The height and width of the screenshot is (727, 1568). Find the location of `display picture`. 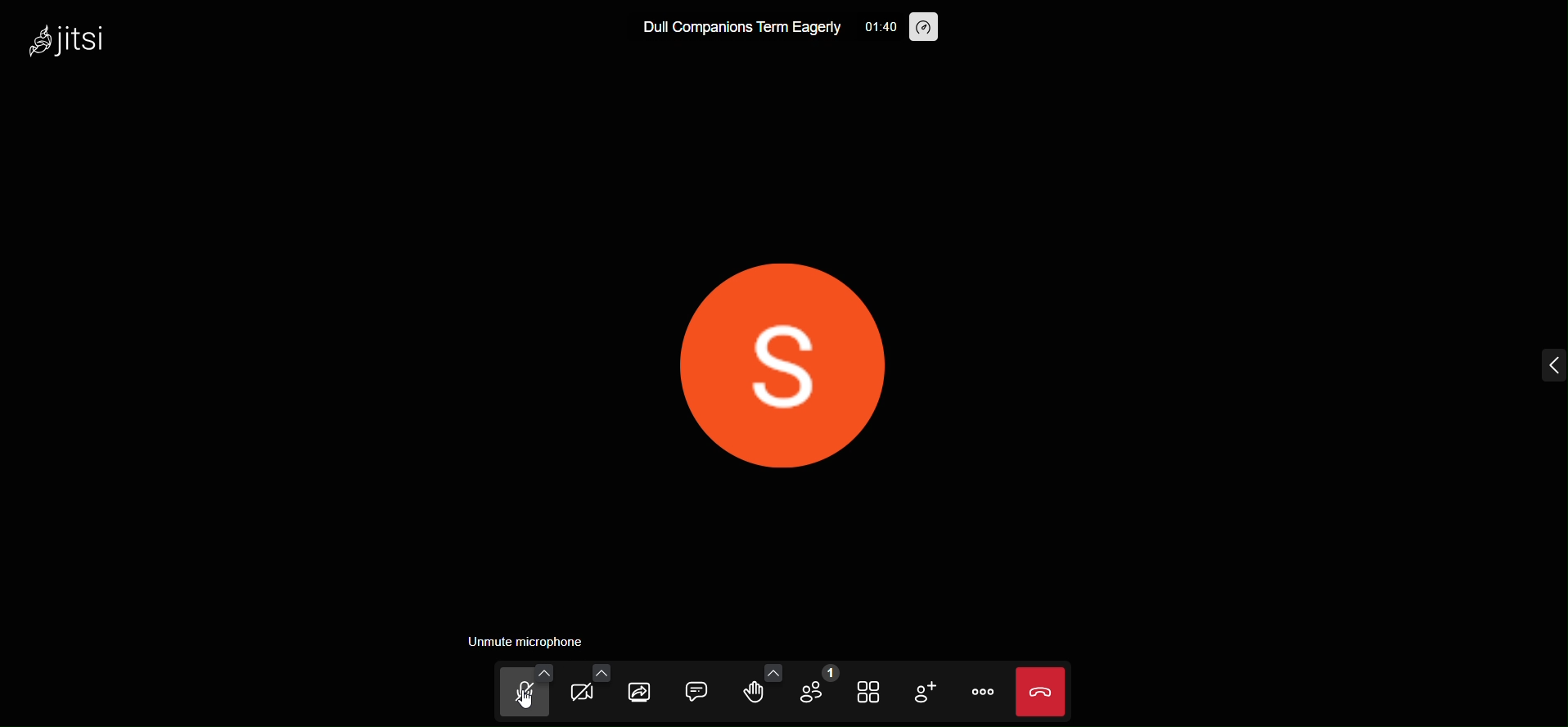

display picture is located at coordinates (791, 366).